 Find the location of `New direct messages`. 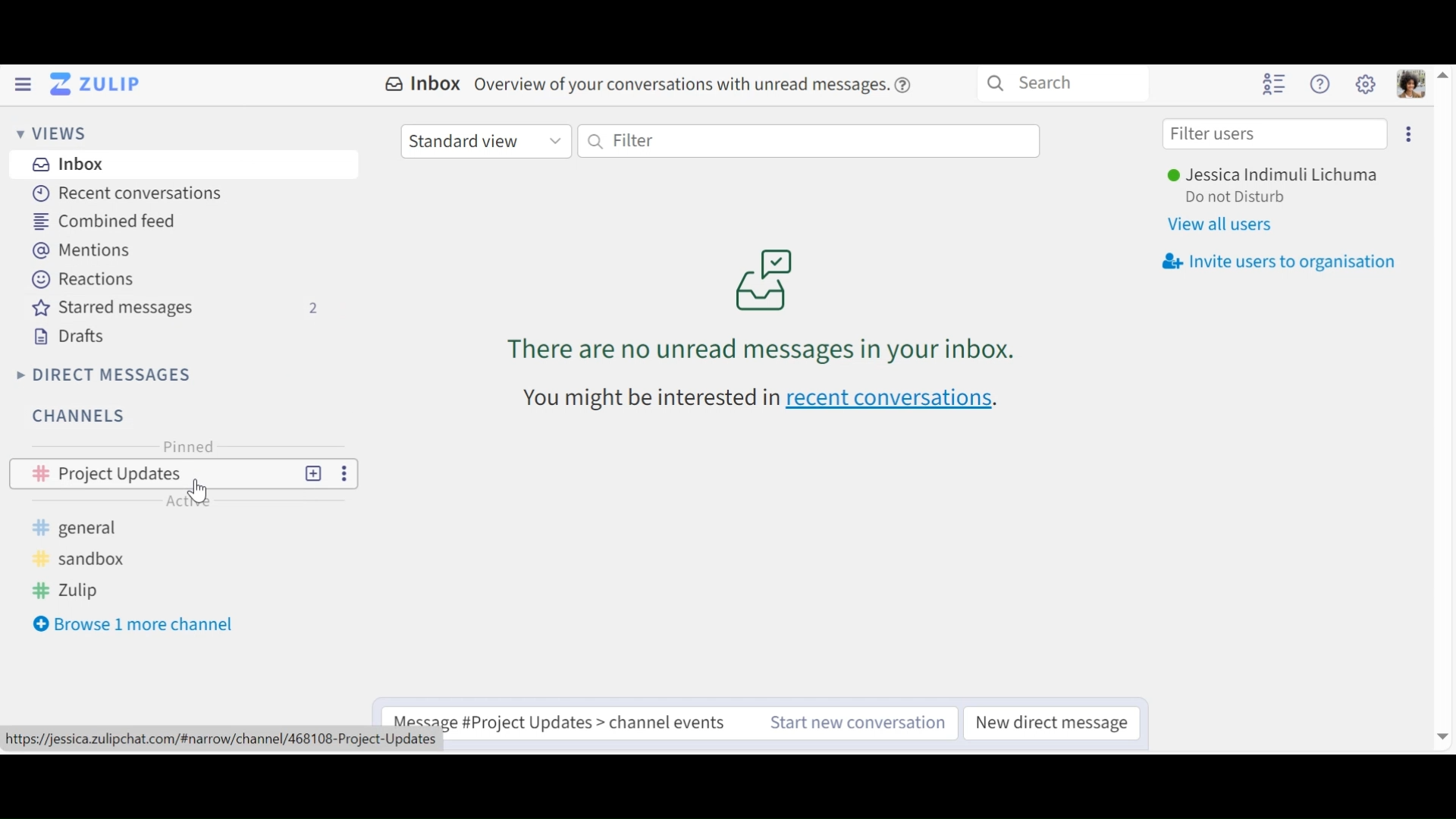

New direct messages is located at coordinates (1050, 723).